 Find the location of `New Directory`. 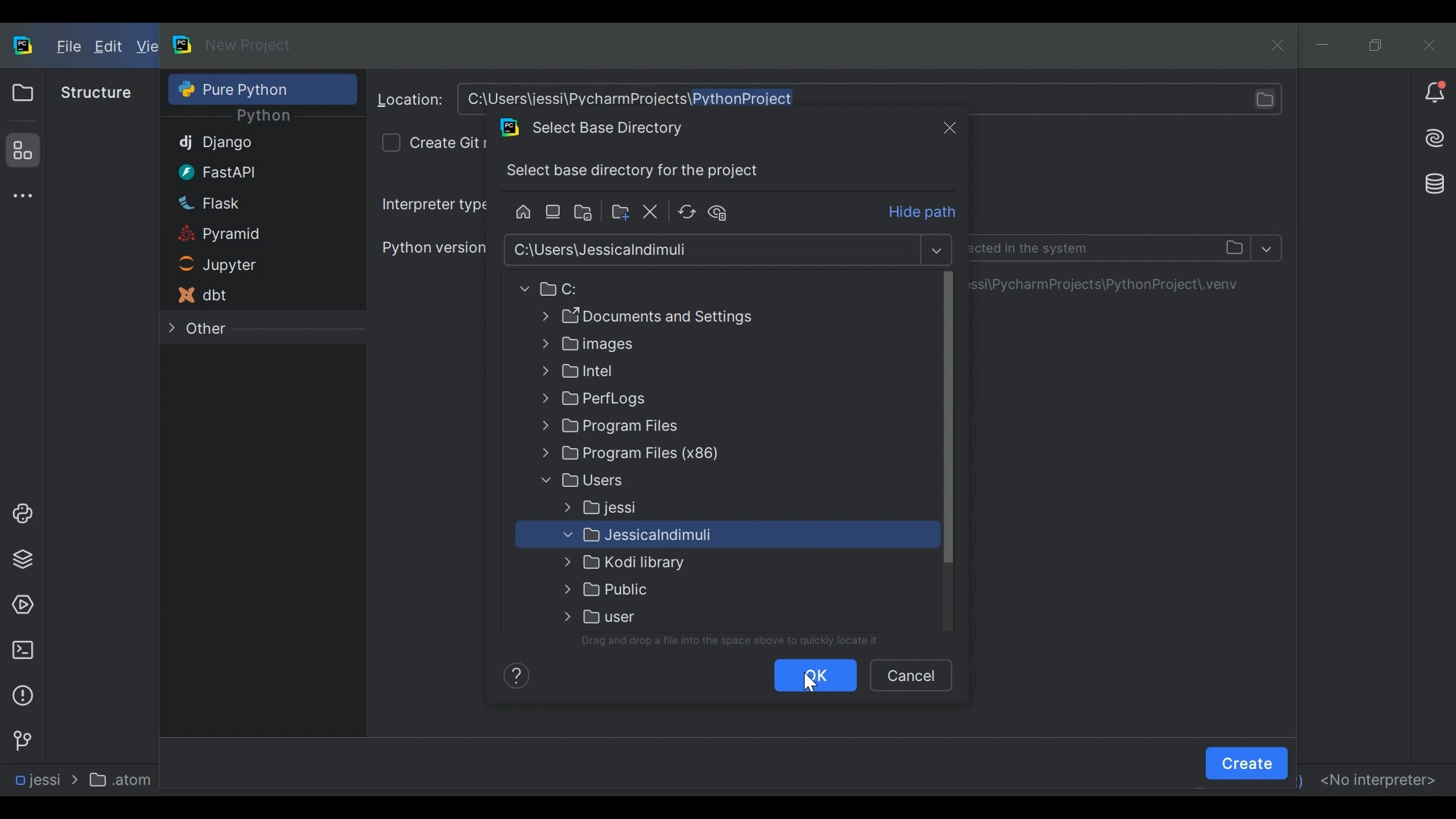

New Directory is located at coordinates (619, 212).